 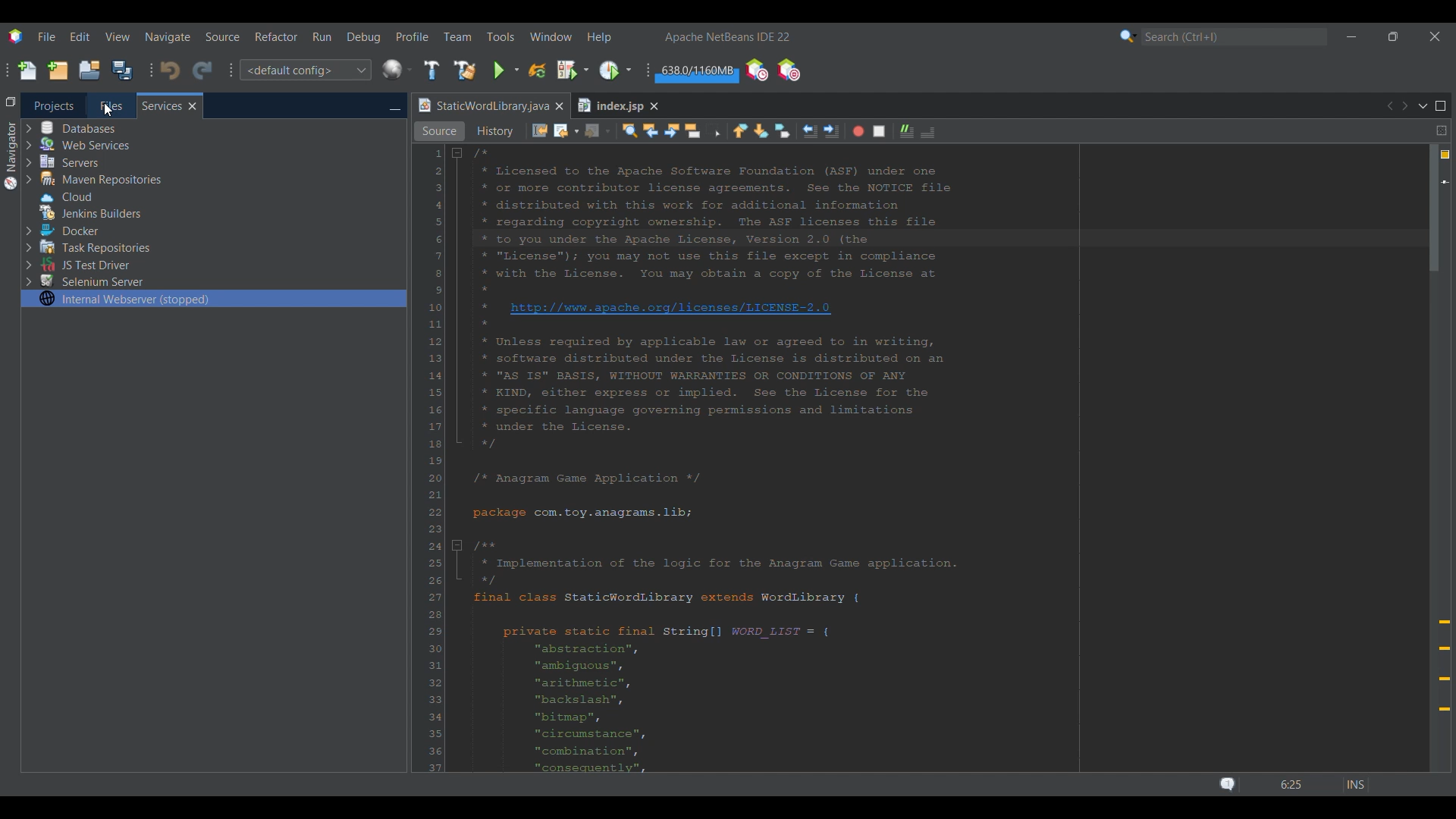 What do you see at coordinates (907, 131) in the screenshot?
I see `Comment` at bounding box center [907, 131].